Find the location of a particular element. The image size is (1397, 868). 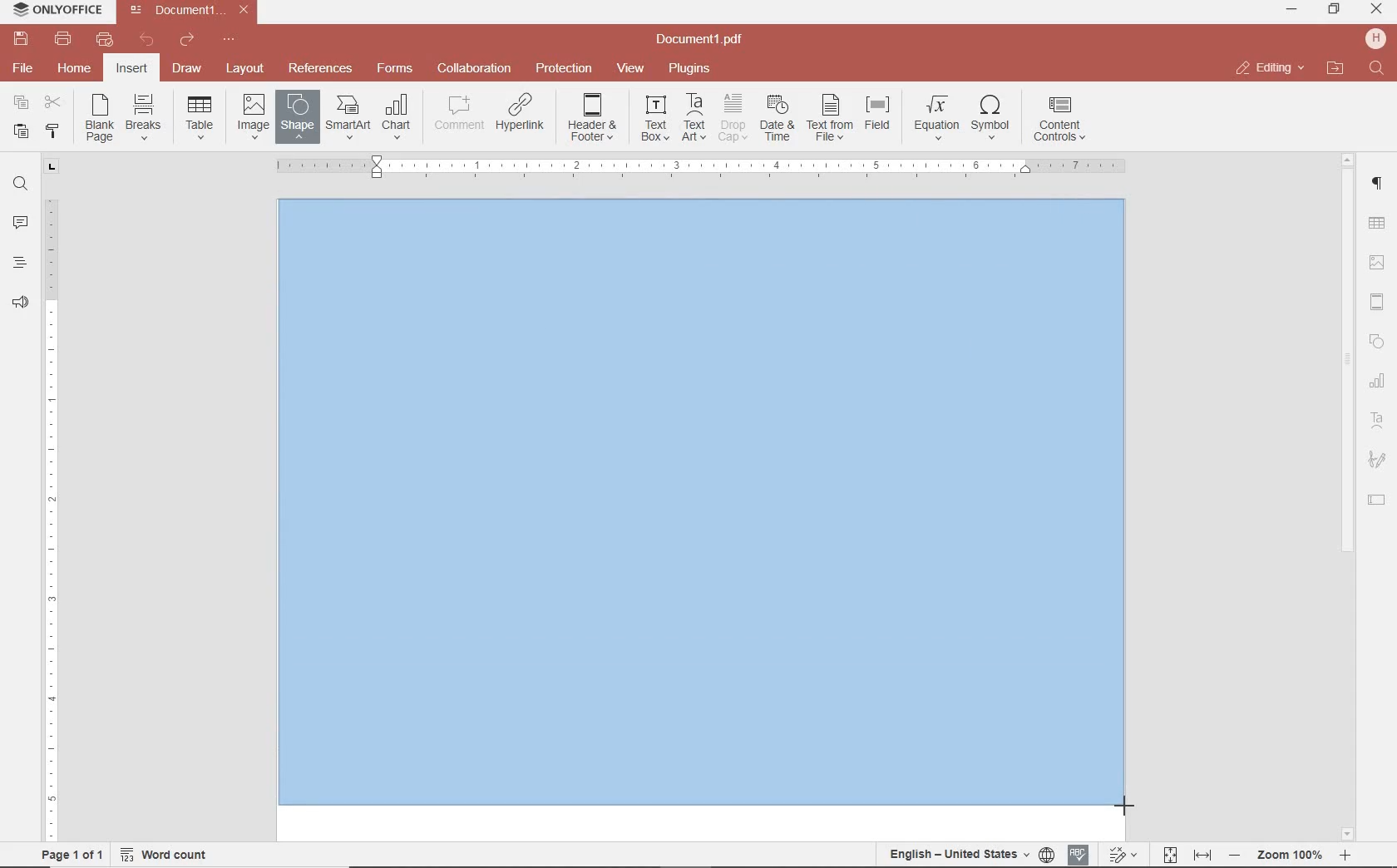

fit to page and width is located at coordinates (1184, 856).